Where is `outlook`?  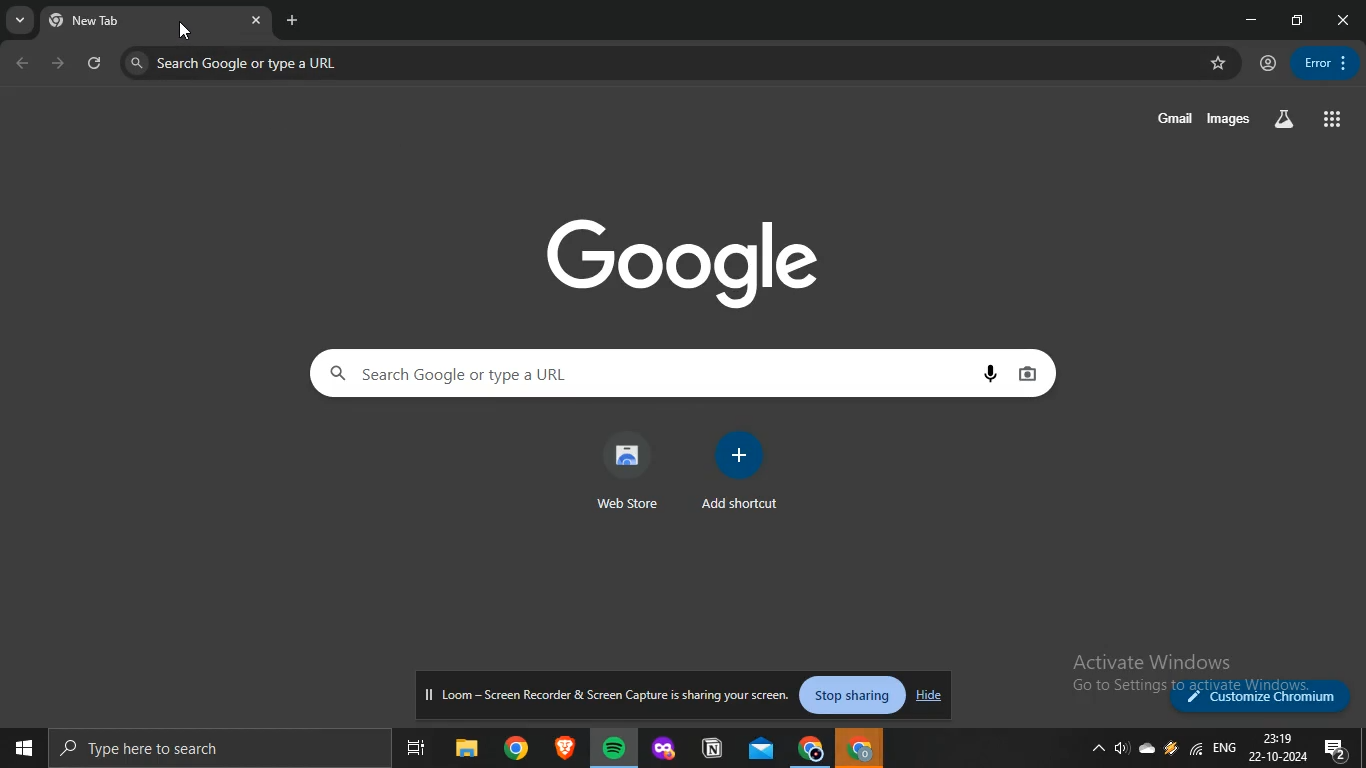
outlook is located at coordinates (763, 748).